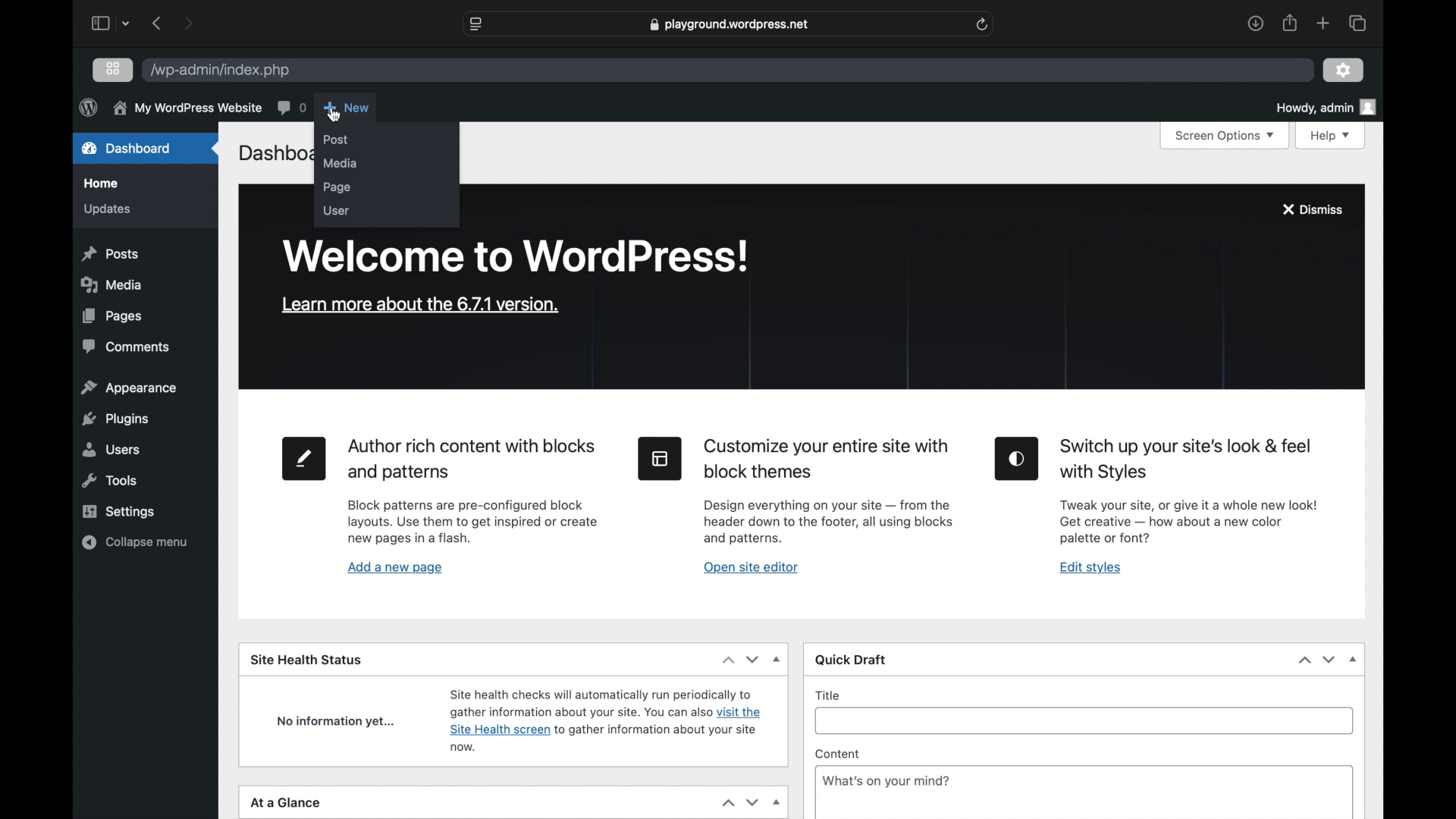  What do you see at coordinates (112, 450) in the screenshot?
I see `users` at bounding box center [112, 450].